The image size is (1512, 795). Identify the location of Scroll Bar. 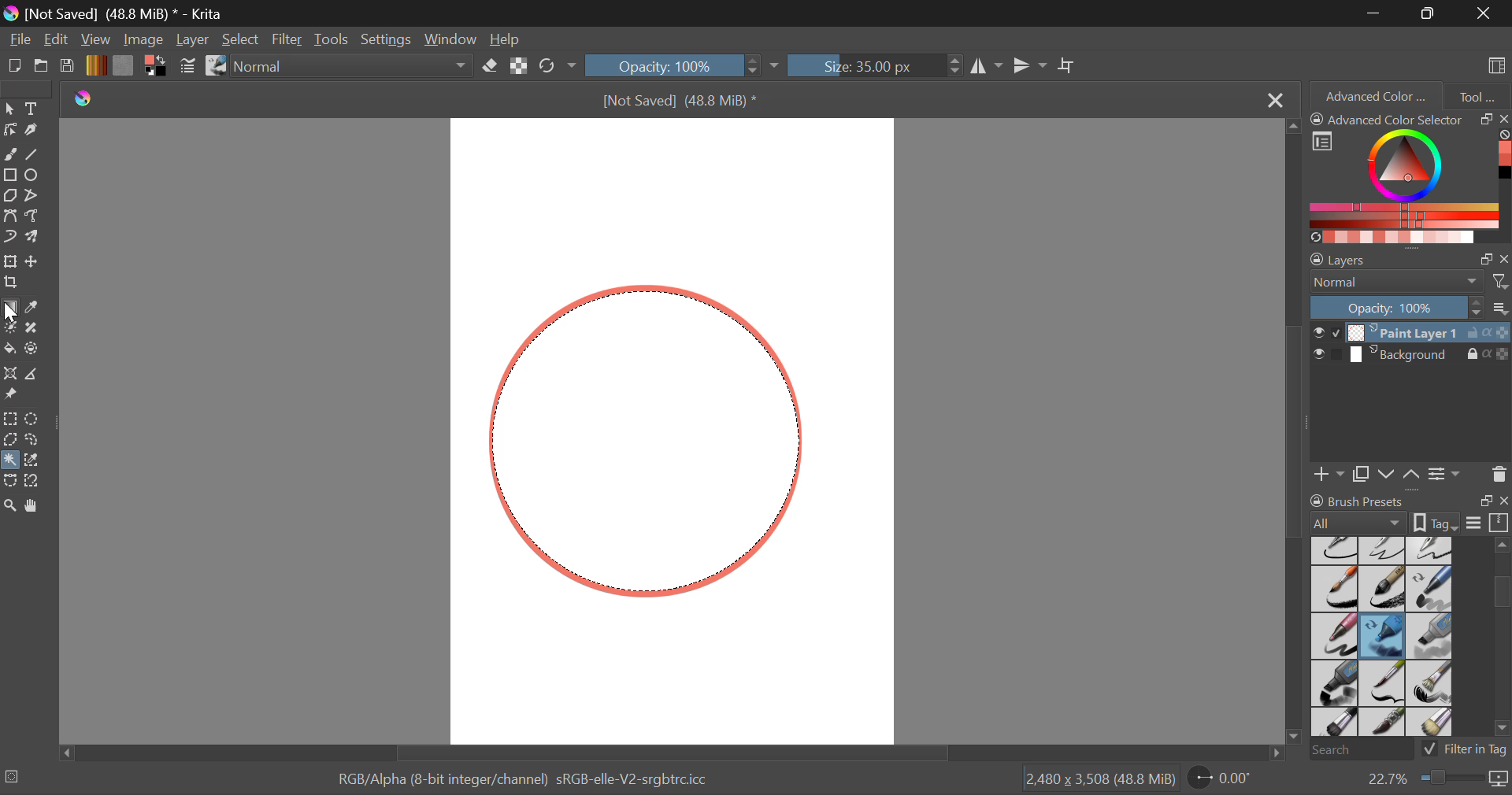
(668, 752).